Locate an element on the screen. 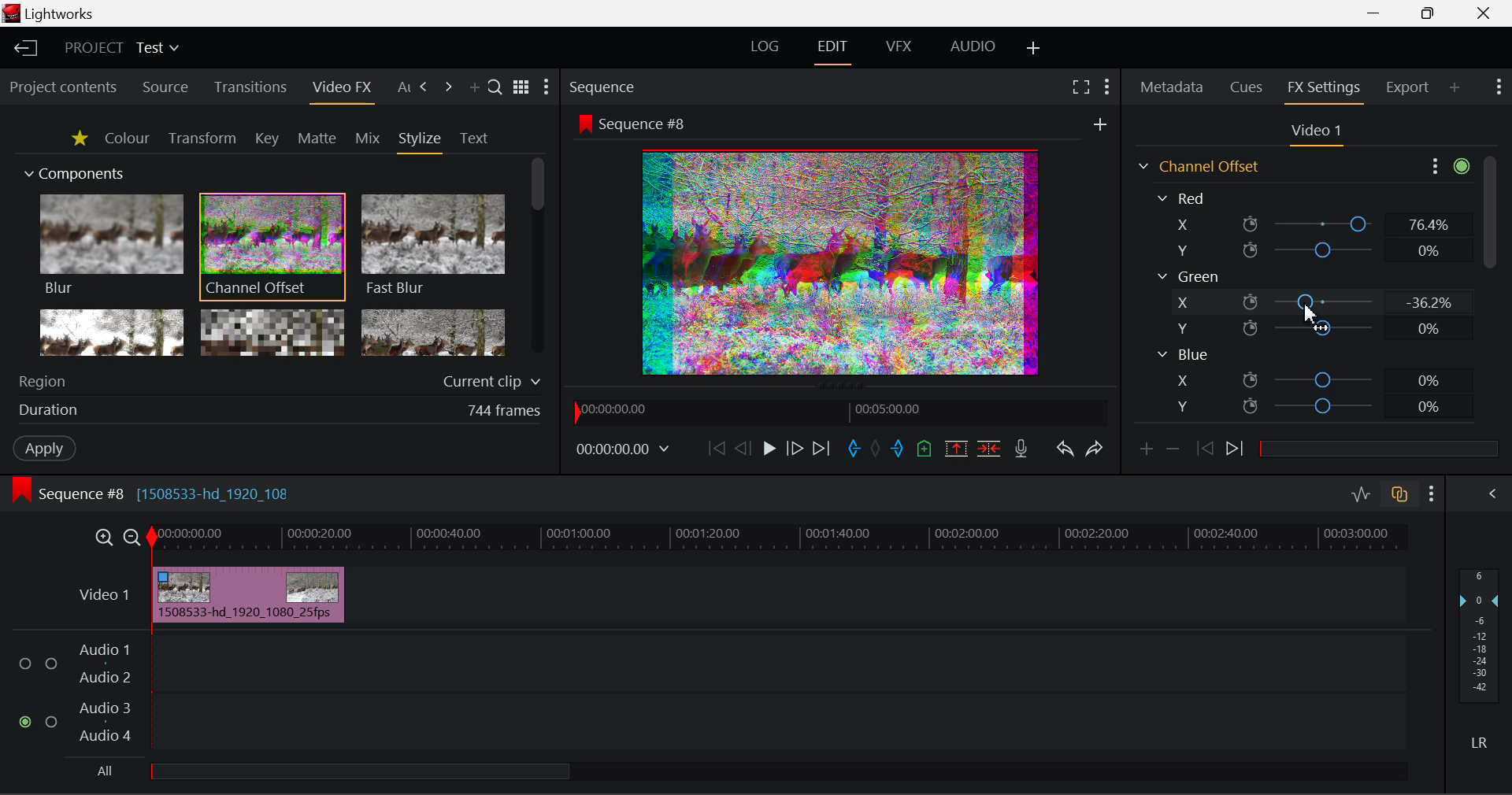  Delete/Cut is located at coordinates (991, 449).